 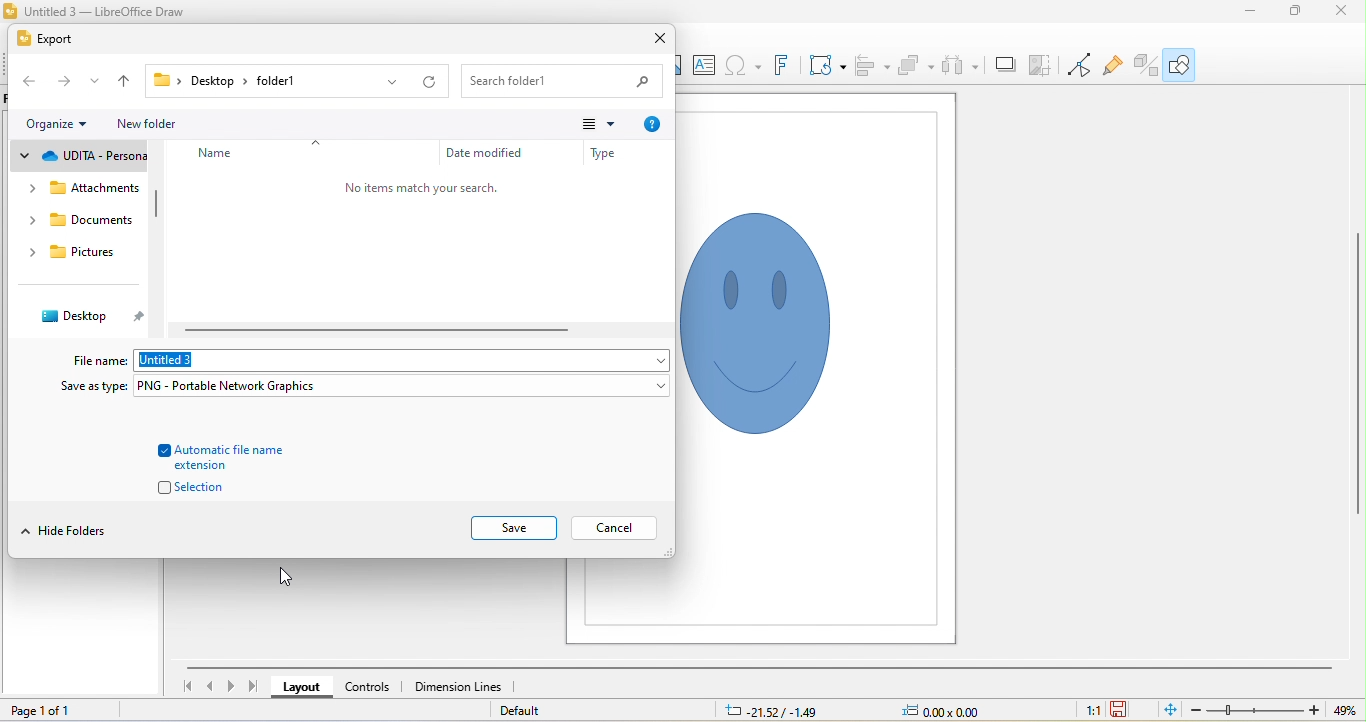 I want to click on shadow, so click(x=1003, y=63).